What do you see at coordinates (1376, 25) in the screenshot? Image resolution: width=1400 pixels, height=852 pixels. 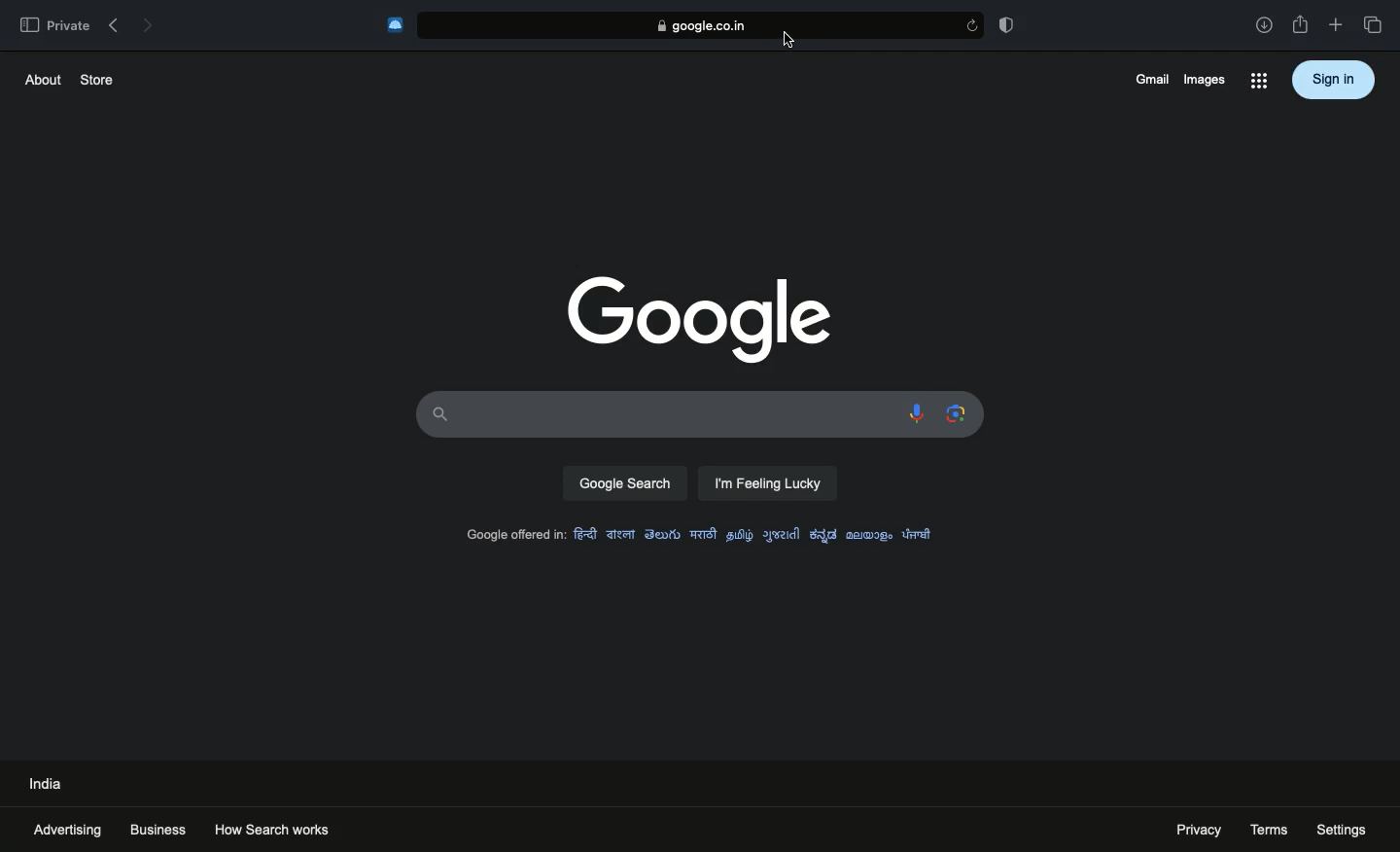 I see `Tabs` at bounding box center [1376, 25].